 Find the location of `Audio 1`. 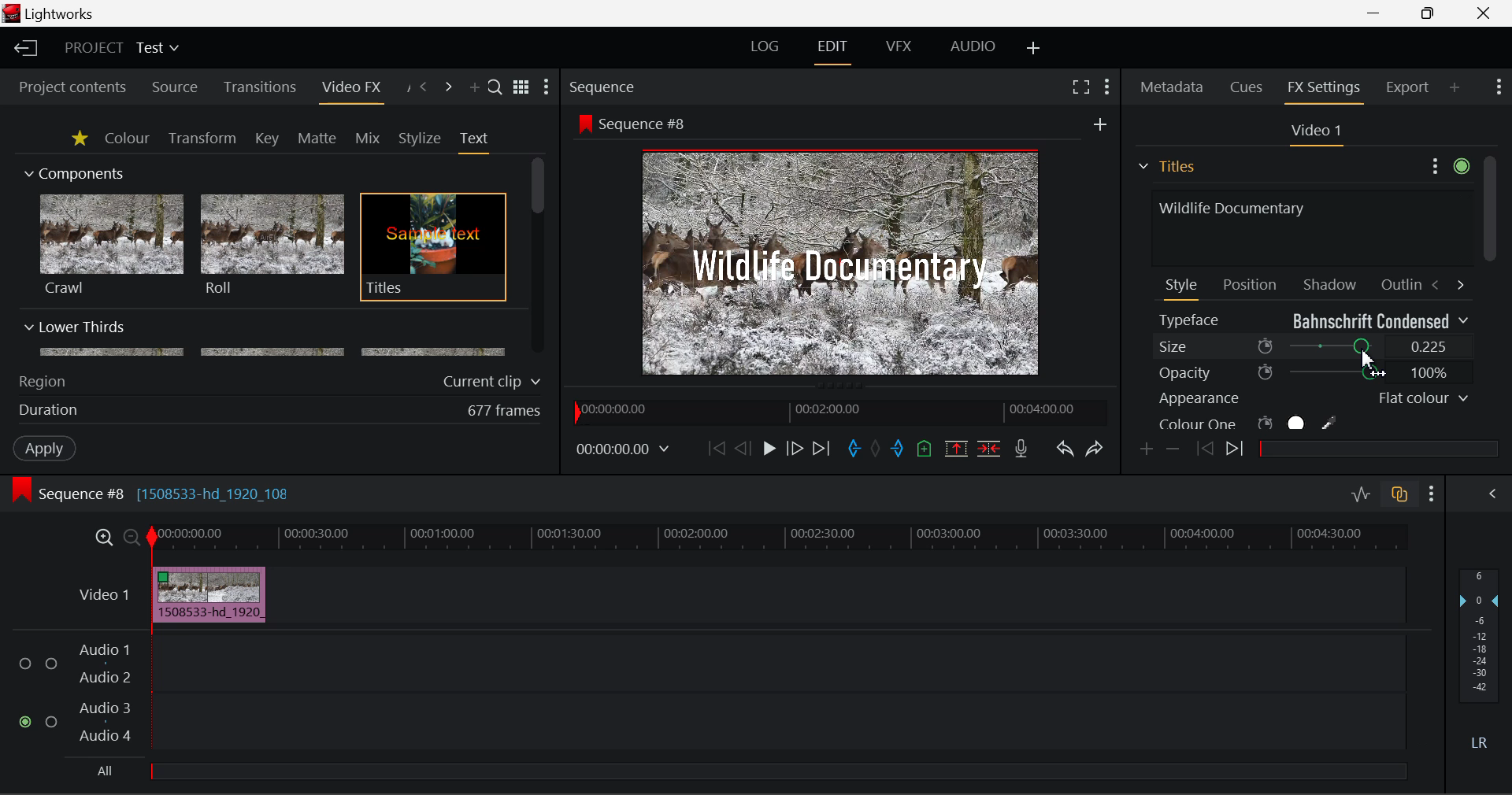

Audio 1 is located at coordinates (102, 652).